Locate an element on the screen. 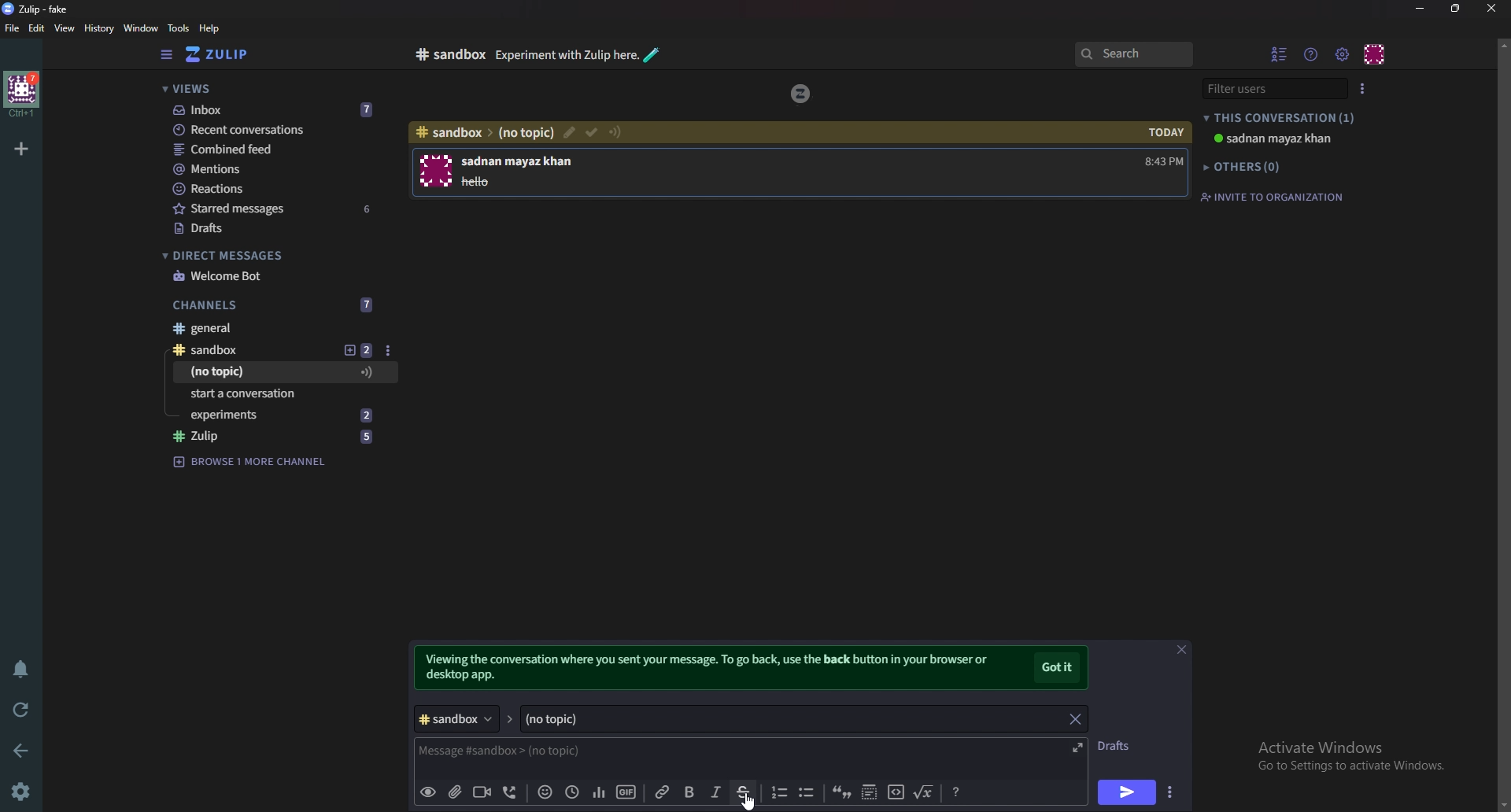 This screenshot has height=812, width=1511. resize is located at coordinates (1454, 9).